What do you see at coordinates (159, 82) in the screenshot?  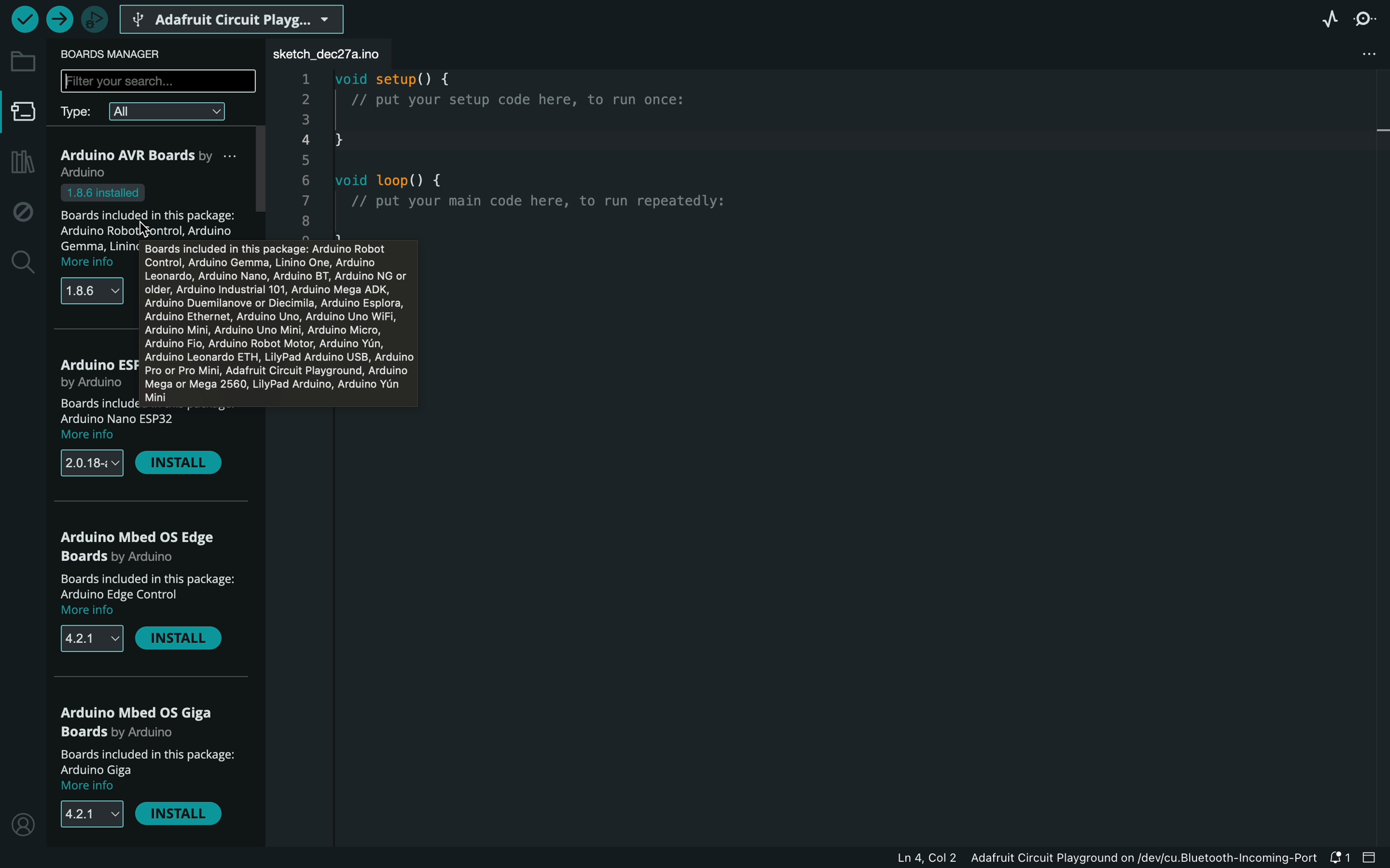 I see `search bar` at bounding box center [159, 82].